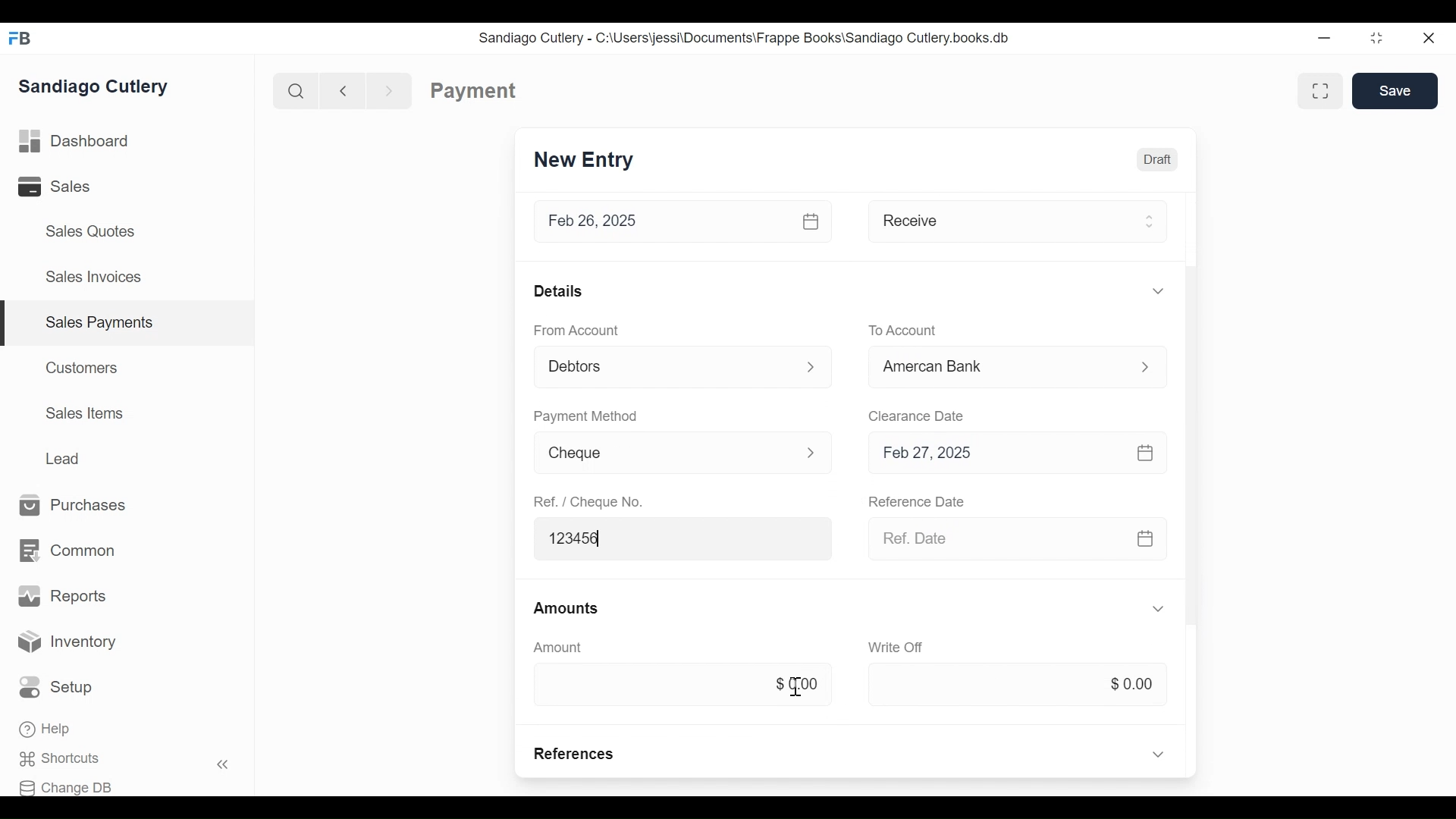  Describe the element at coordinates (62, 596) in the screenshot. I see `Reports` at that location.